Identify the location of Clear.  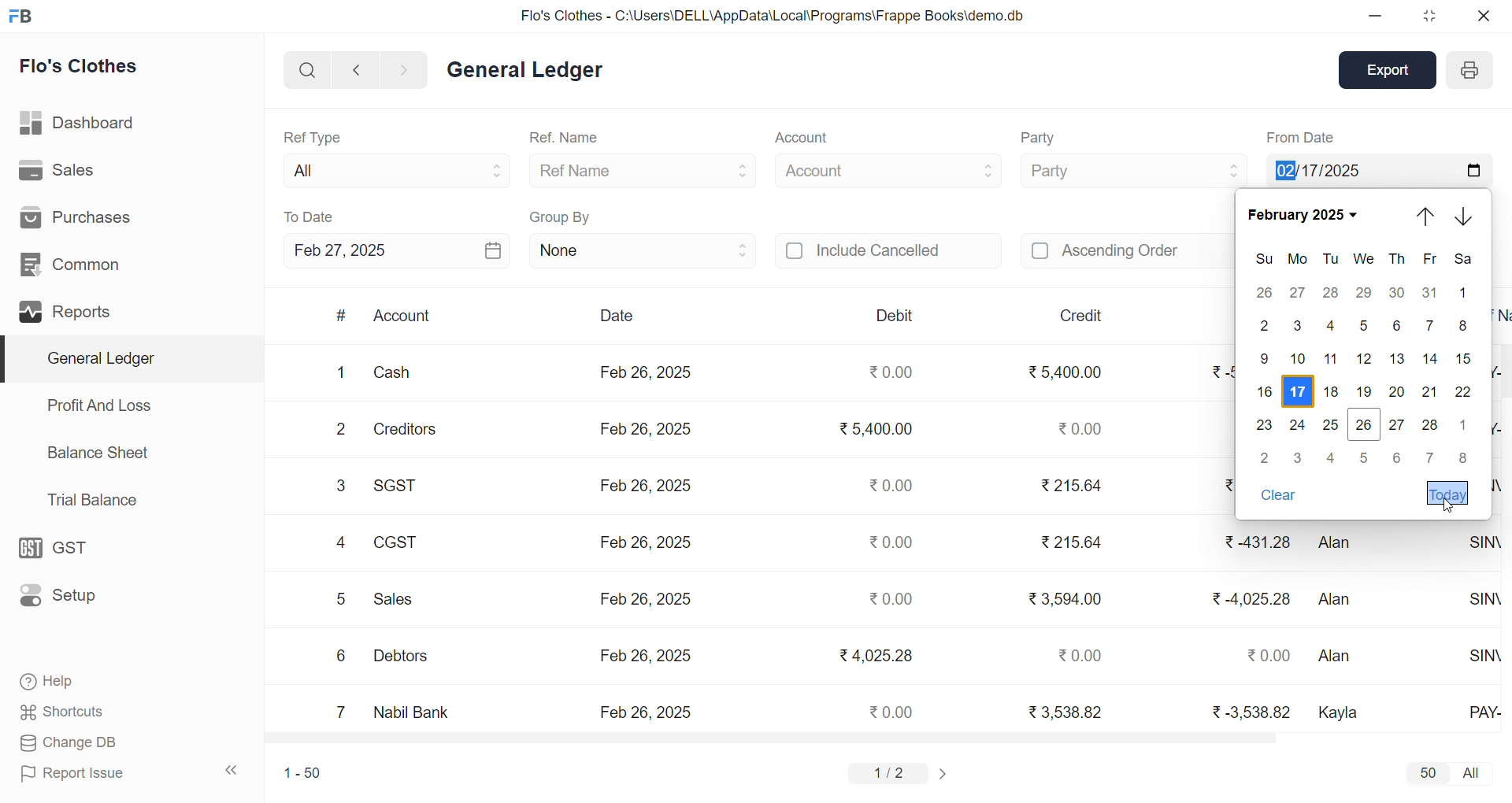
(1280, 497).